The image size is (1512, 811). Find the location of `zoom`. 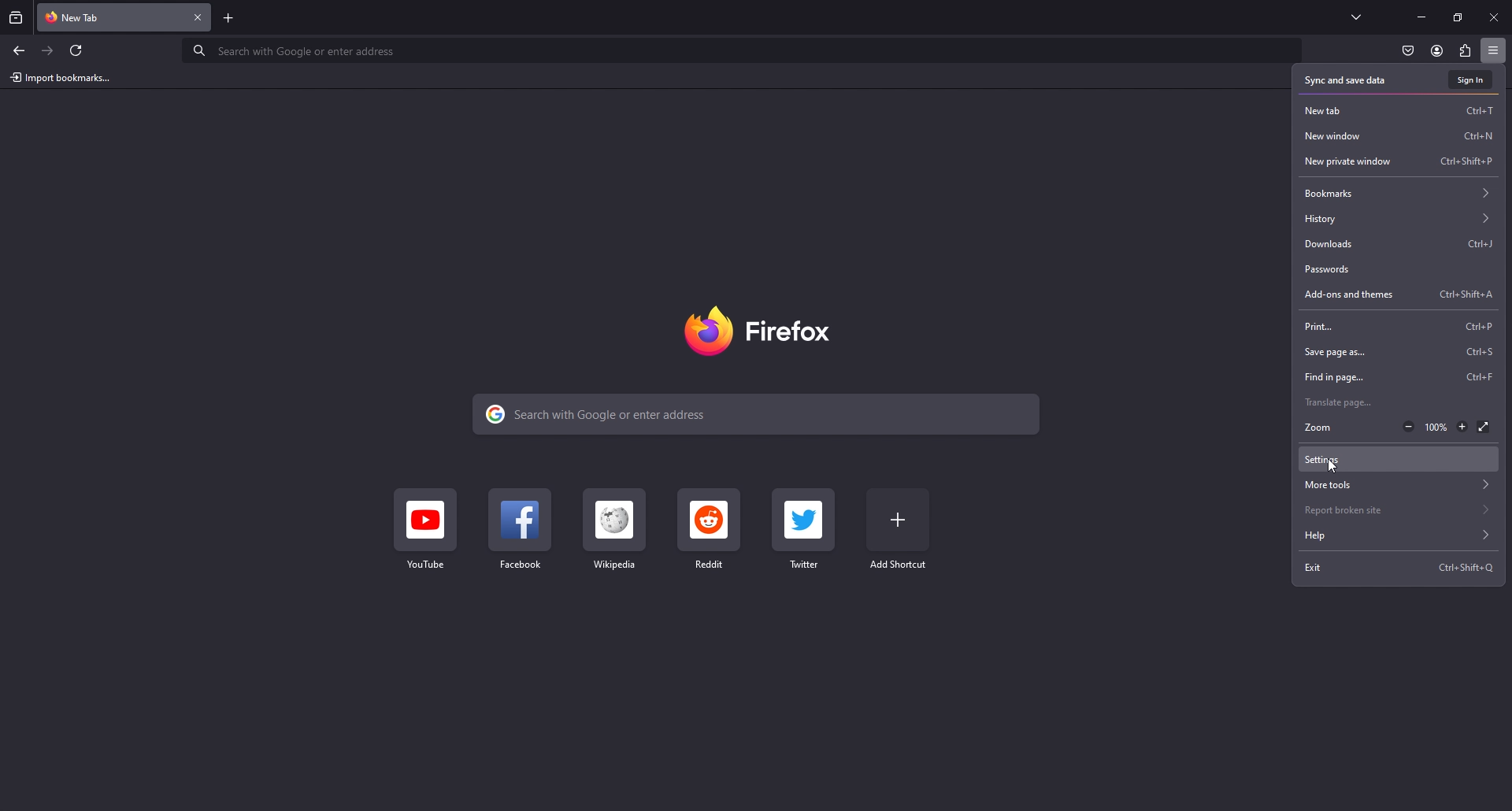

zoom is located at coordinates (1326, 428).